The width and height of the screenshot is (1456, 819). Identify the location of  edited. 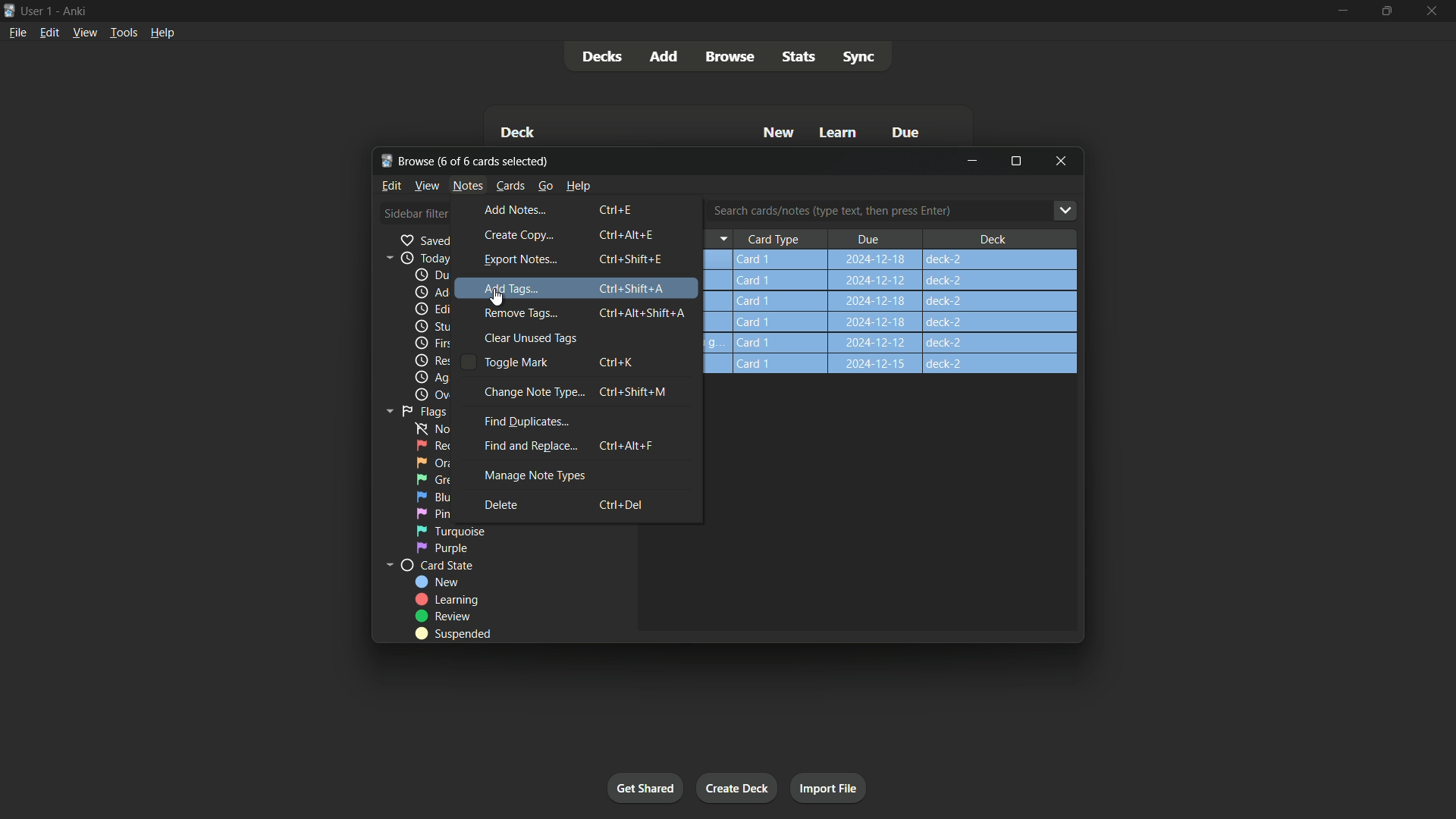
(435, 308).